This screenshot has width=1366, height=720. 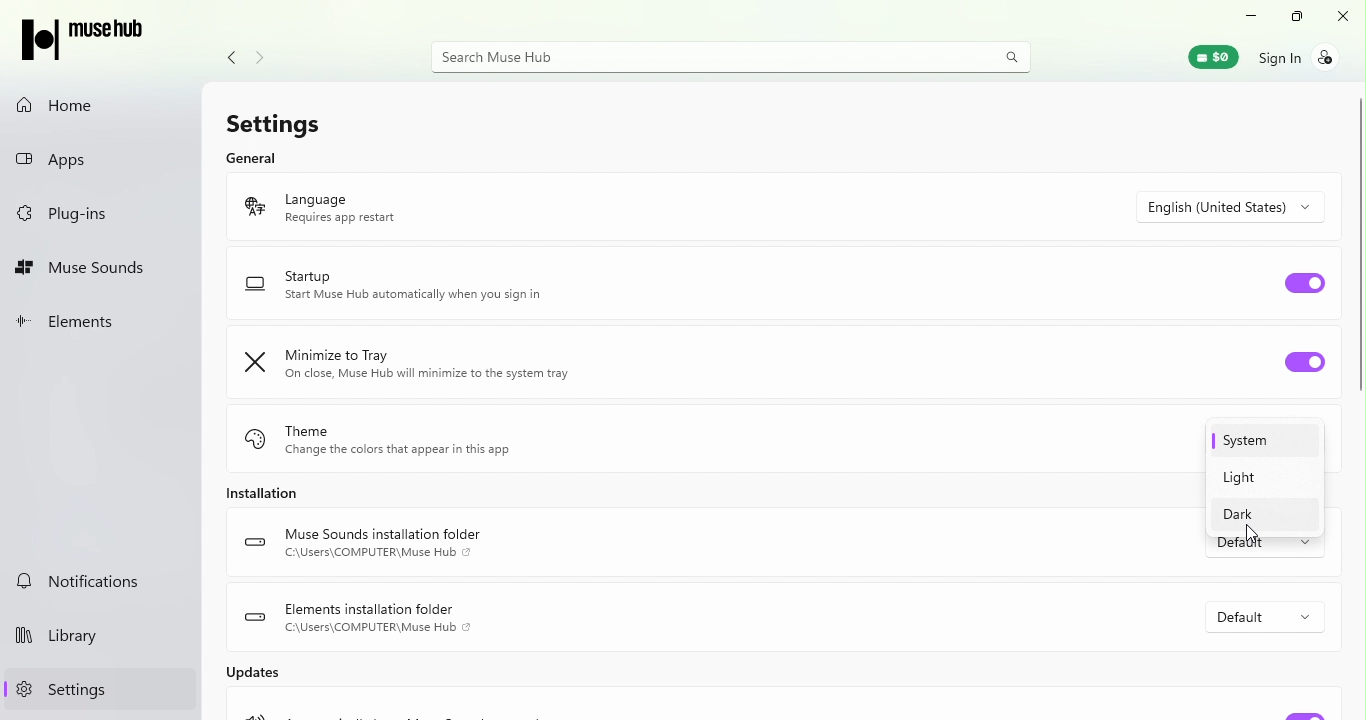 I want to click on Plug-ins, so click(x=67, y=214).